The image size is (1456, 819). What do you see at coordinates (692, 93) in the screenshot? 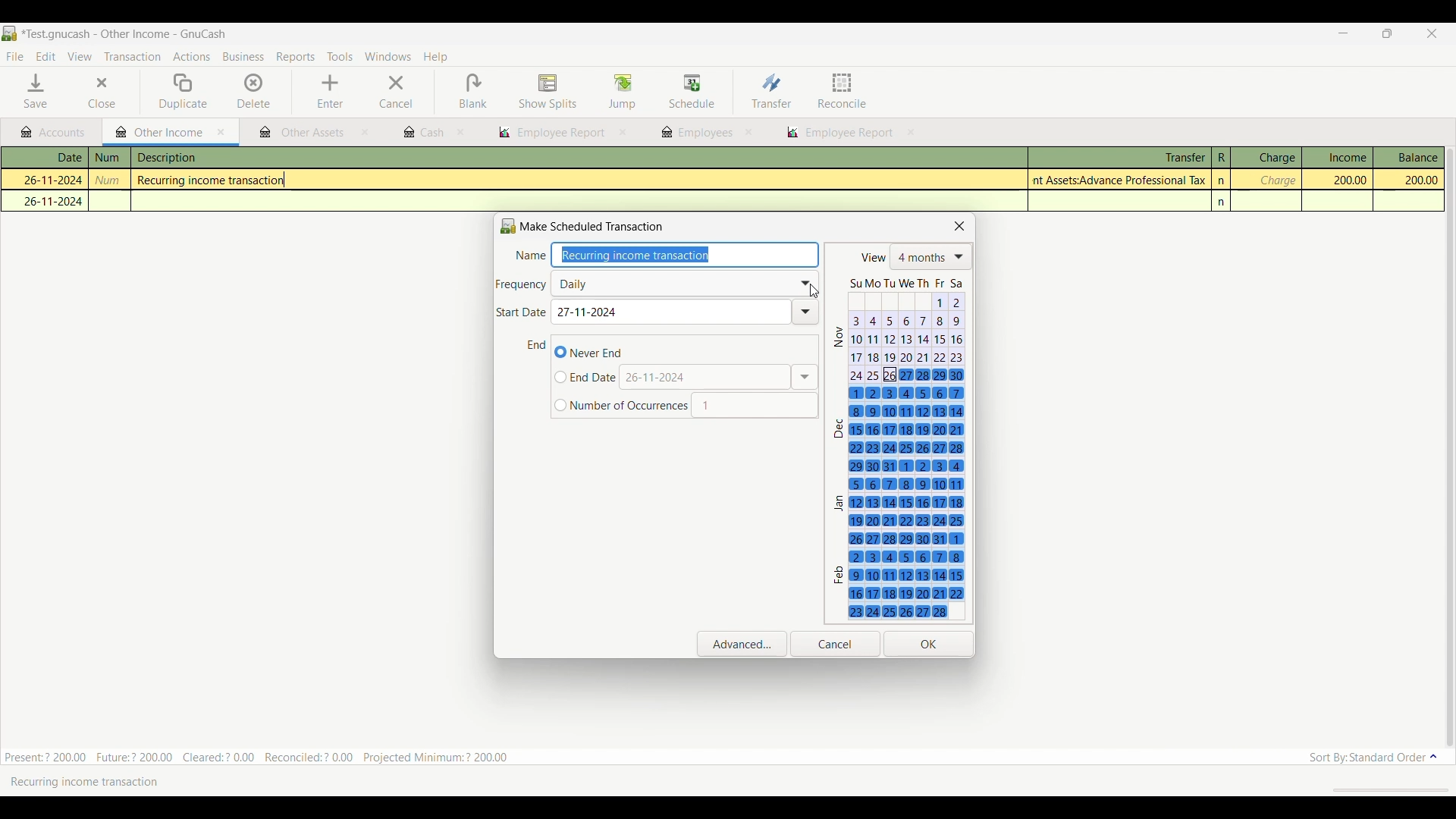
I see `Schedule highlighted after selection by cursor` at bounding box center [692, 93].